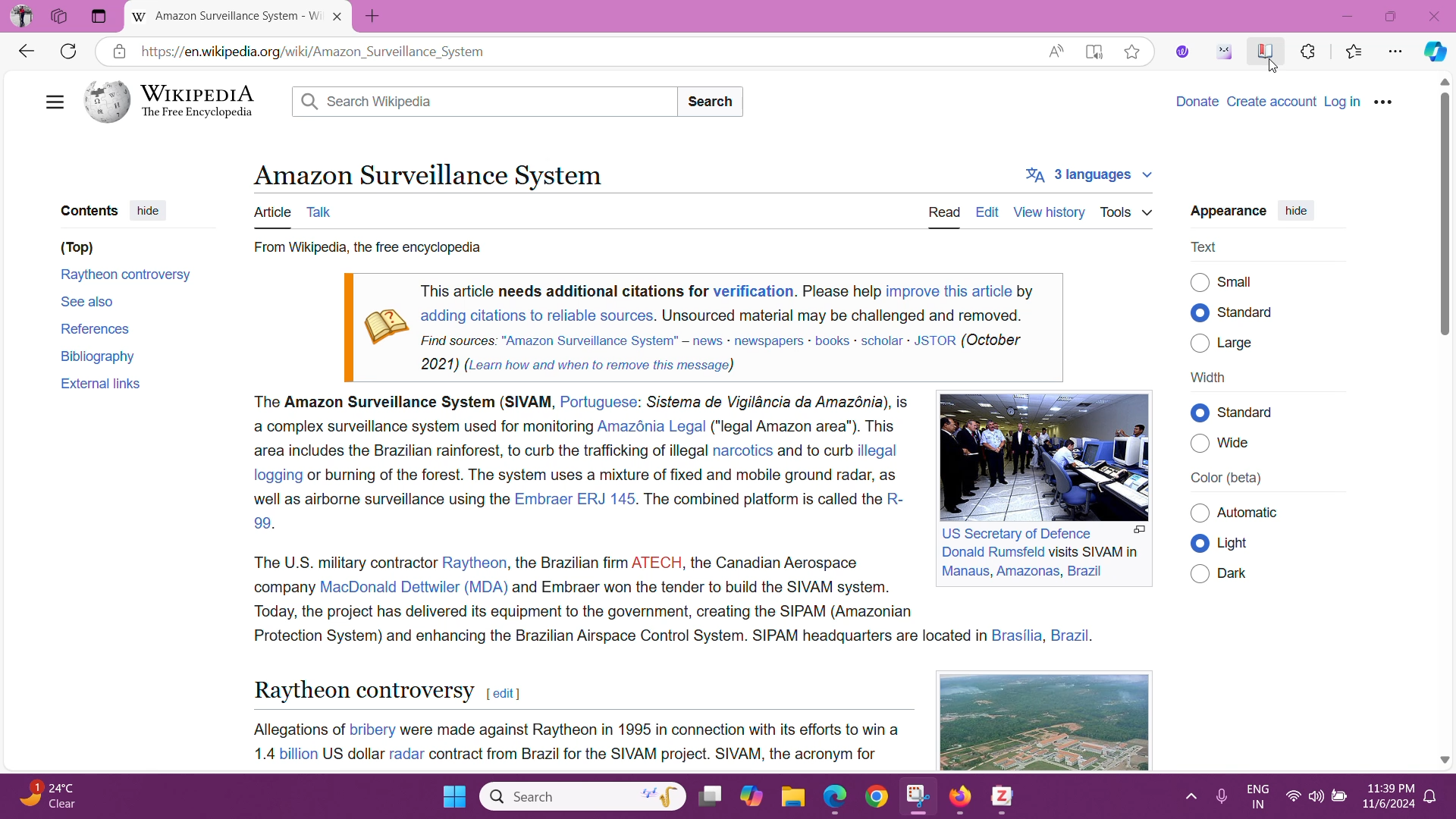 The width and height of the screenshot is (1456, 819). I want to click on The combined platform is called the, so click(762, 499).